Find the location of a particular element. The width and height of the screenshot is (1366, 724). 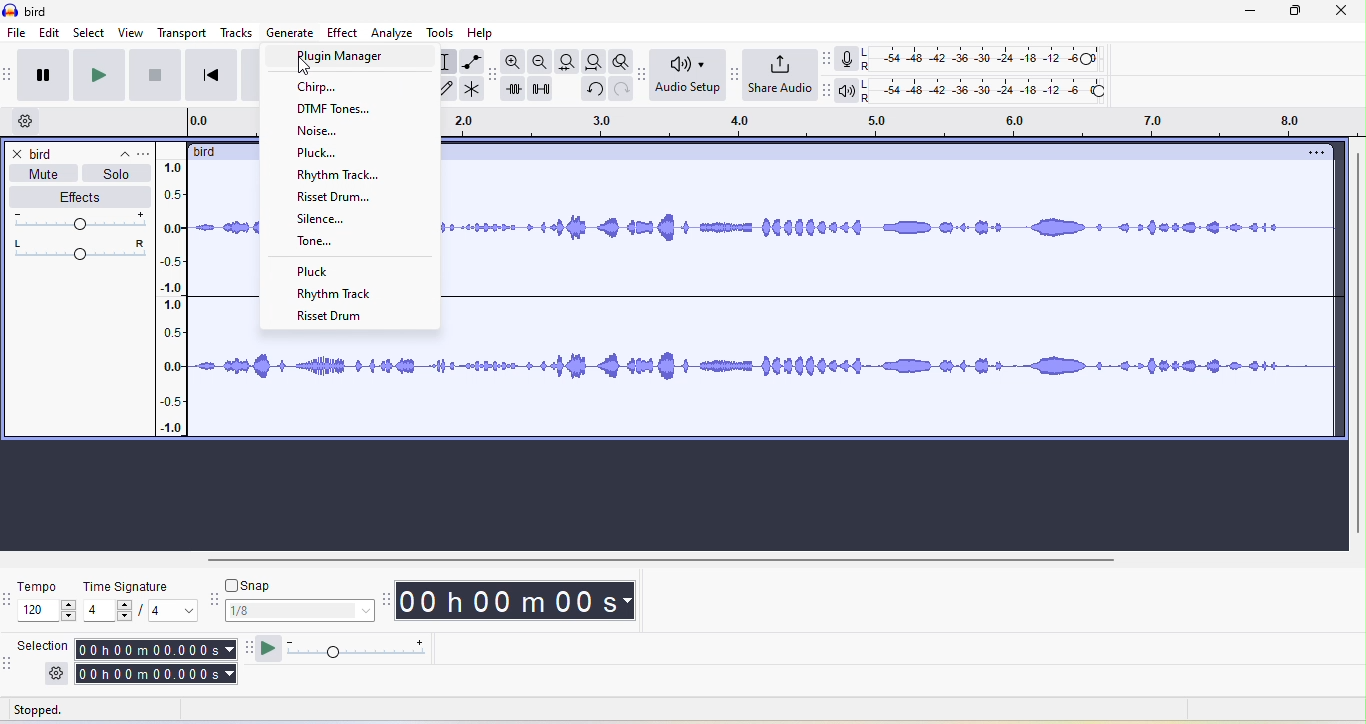

minimize is located at coordinates (1250, 13).